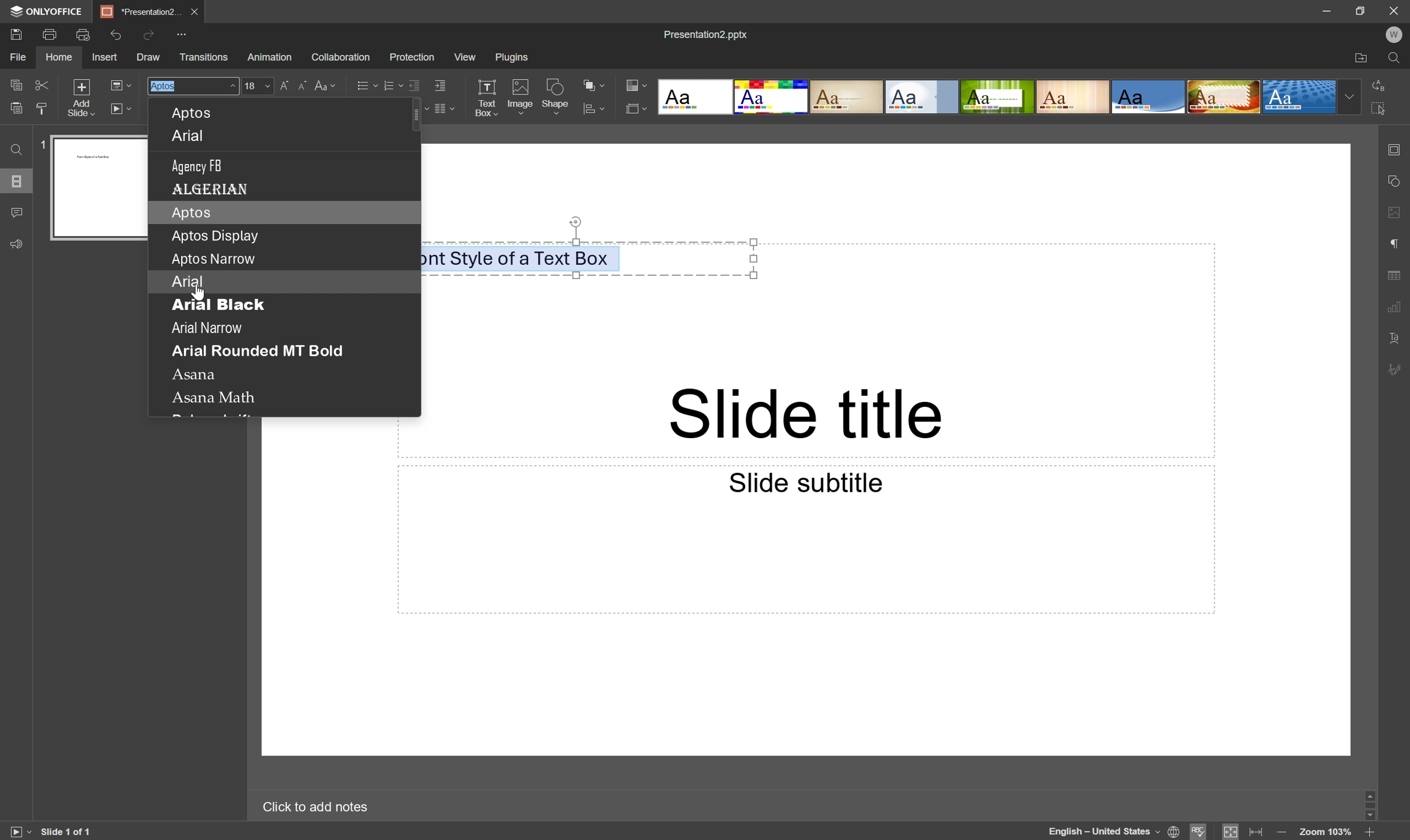 Image resolution: width=1410 pixels, height=840 pixels. I want to click on Agency FB, so click(198, 165).